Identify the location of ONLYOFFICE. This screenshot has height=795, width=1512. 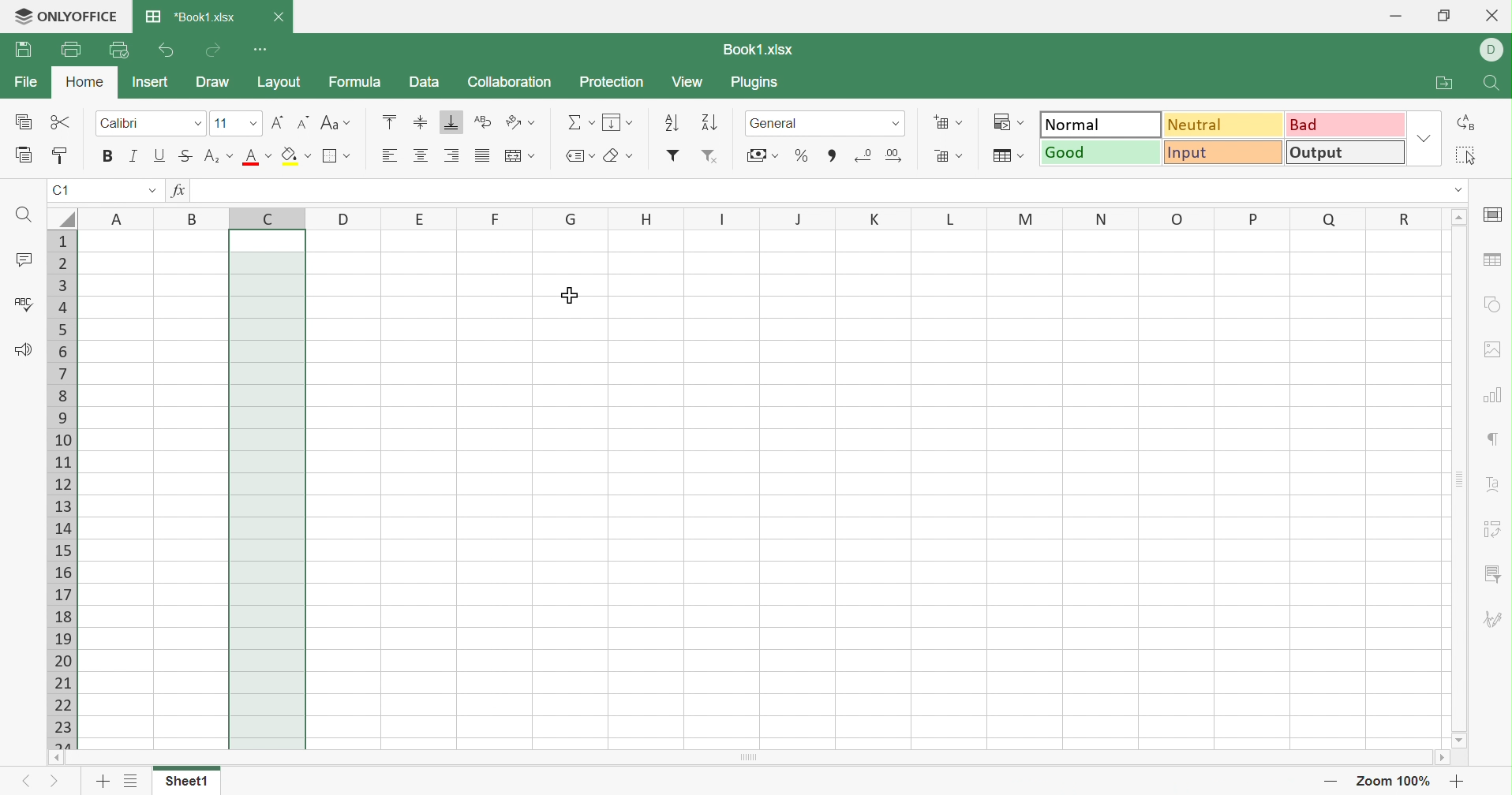
(67, 16).